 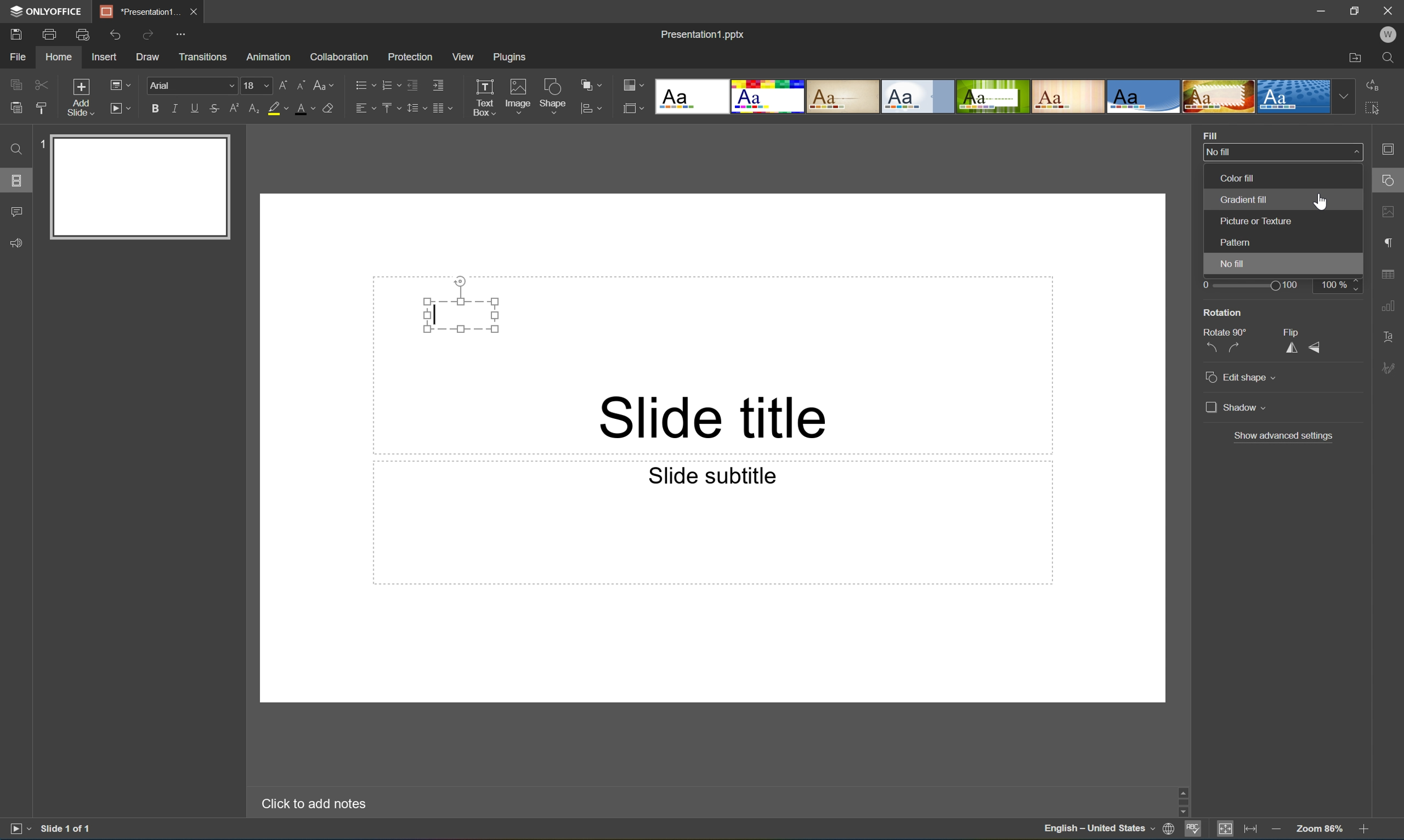 I want to click on Protection, so click(x=409, y=56).